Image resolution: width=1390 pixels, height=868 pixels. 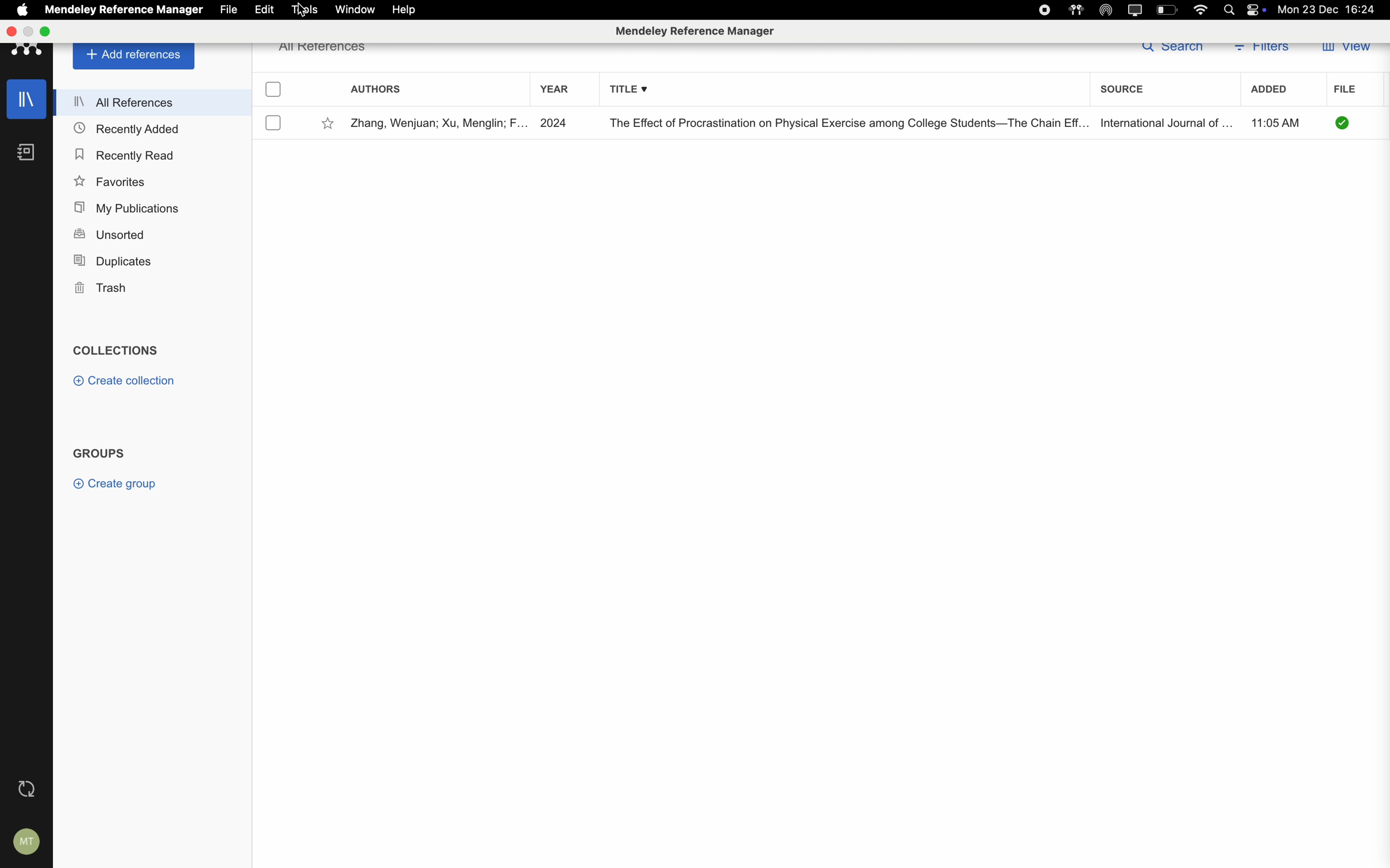 I want to click on author, so click(x=436, y=123).